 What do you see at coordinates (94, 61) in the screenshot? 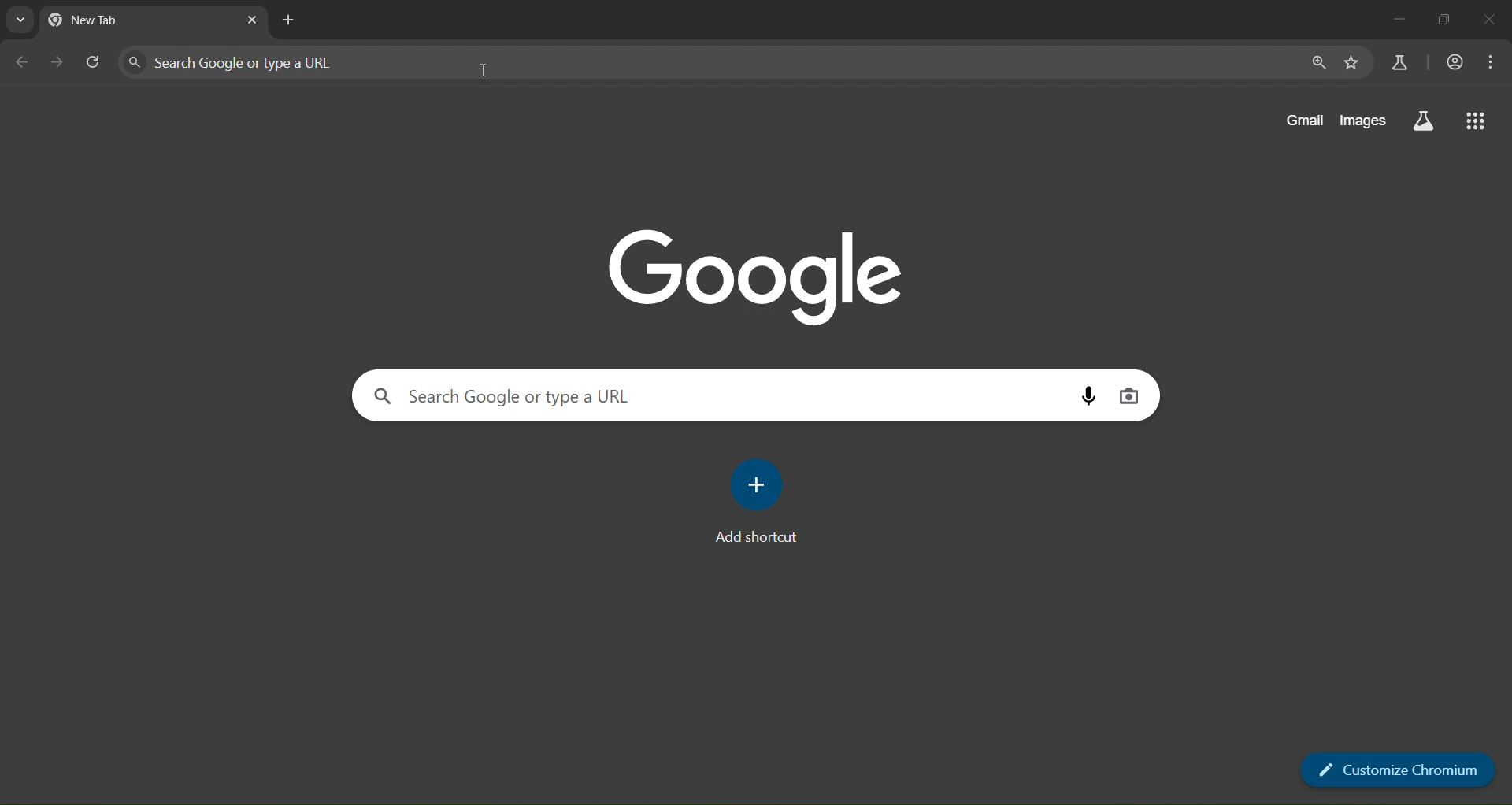
I see `reload page` at bounding box center [94, 61].